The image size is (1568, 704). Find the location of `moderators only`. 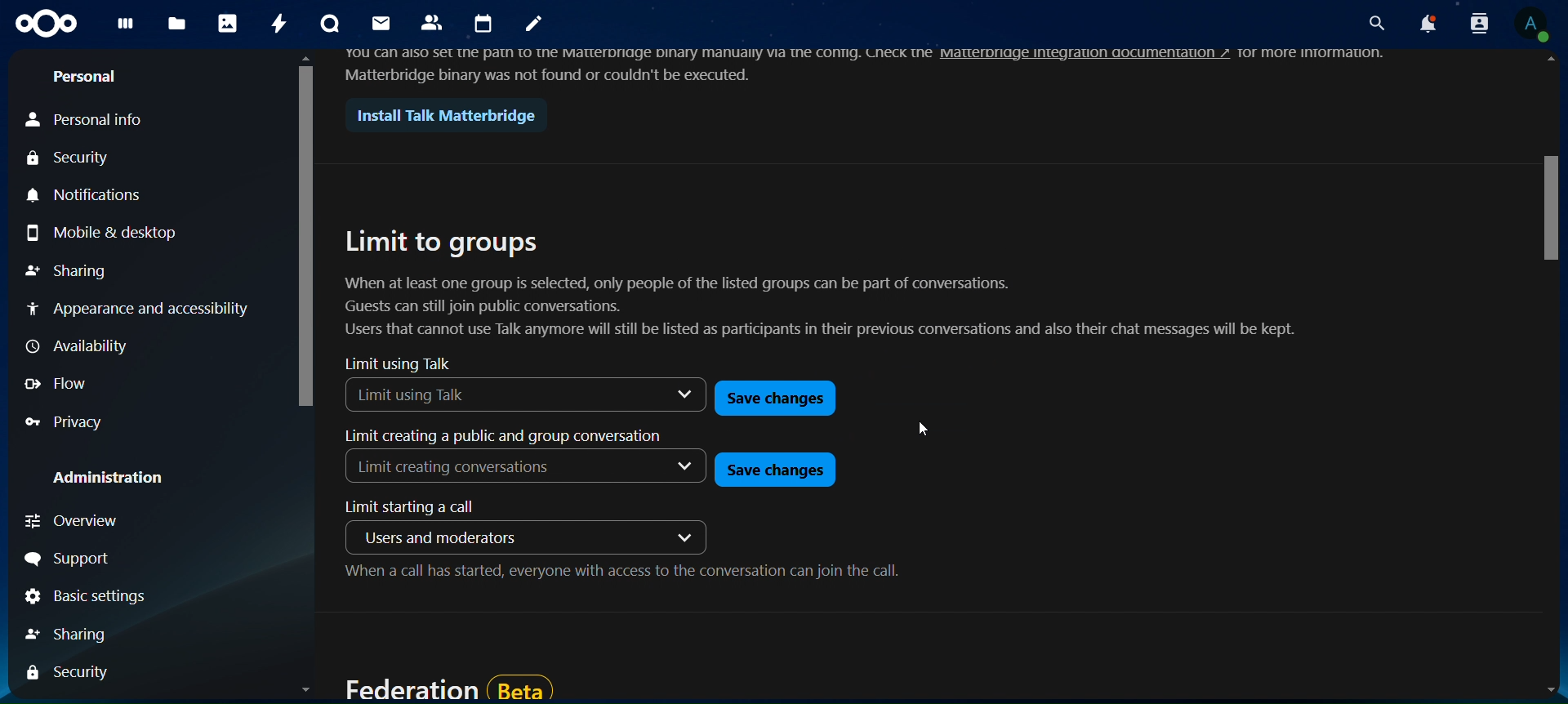

moderators only is located at coordinates (430, 537).